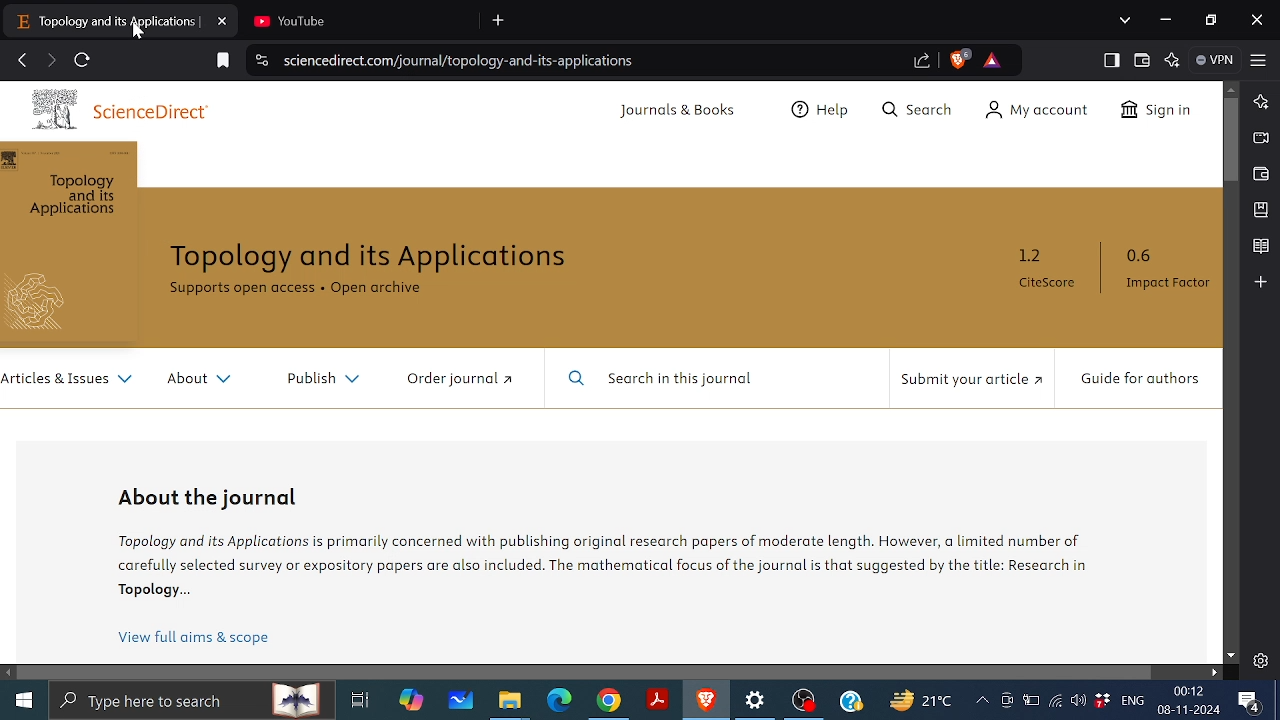 Image resolution: width=1280 pixels, height=720 pixels. I want to click on  wallet, so click(1143, 61).